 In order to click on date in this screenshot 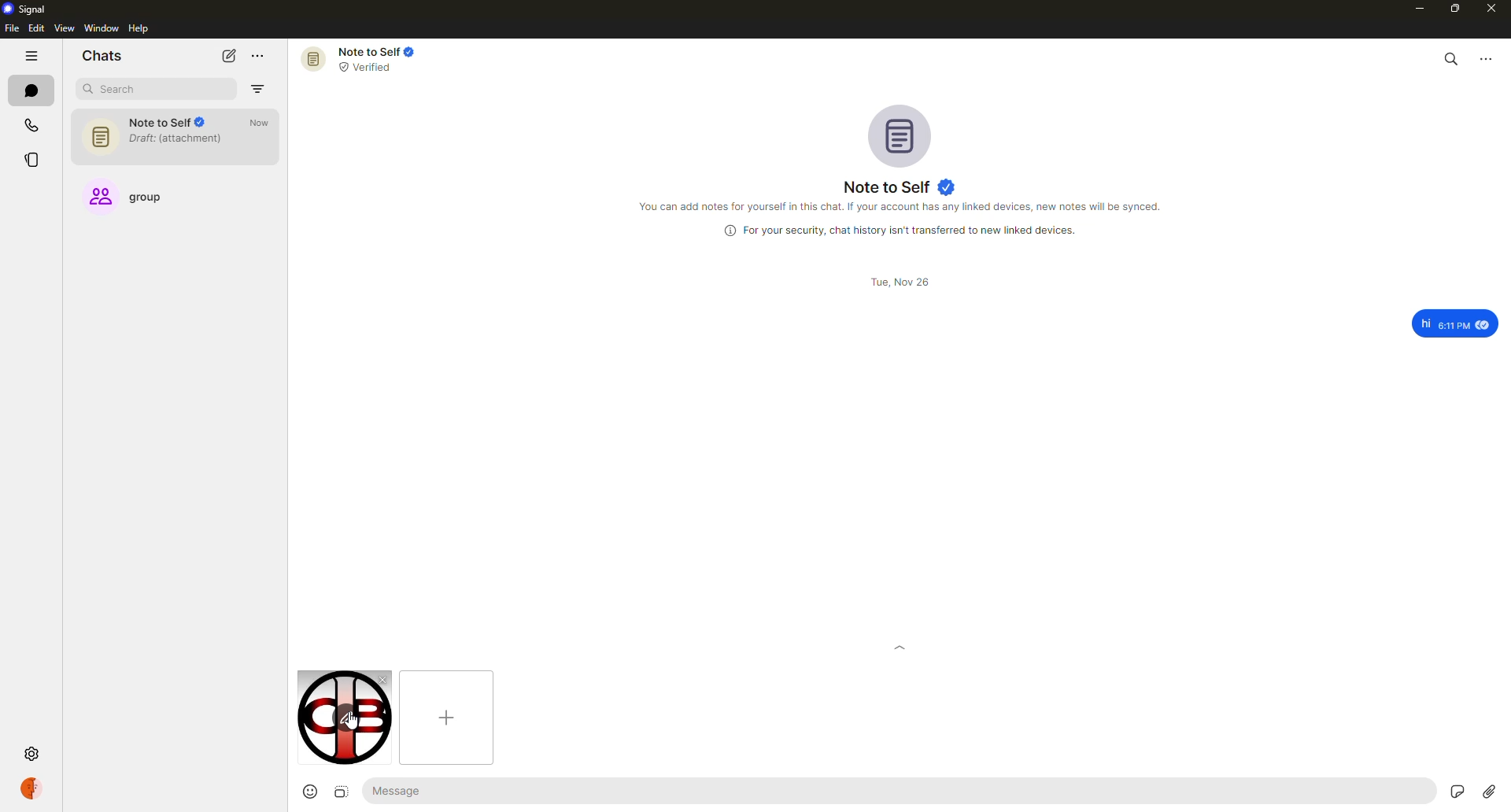, I will do `click(904, 282)`.